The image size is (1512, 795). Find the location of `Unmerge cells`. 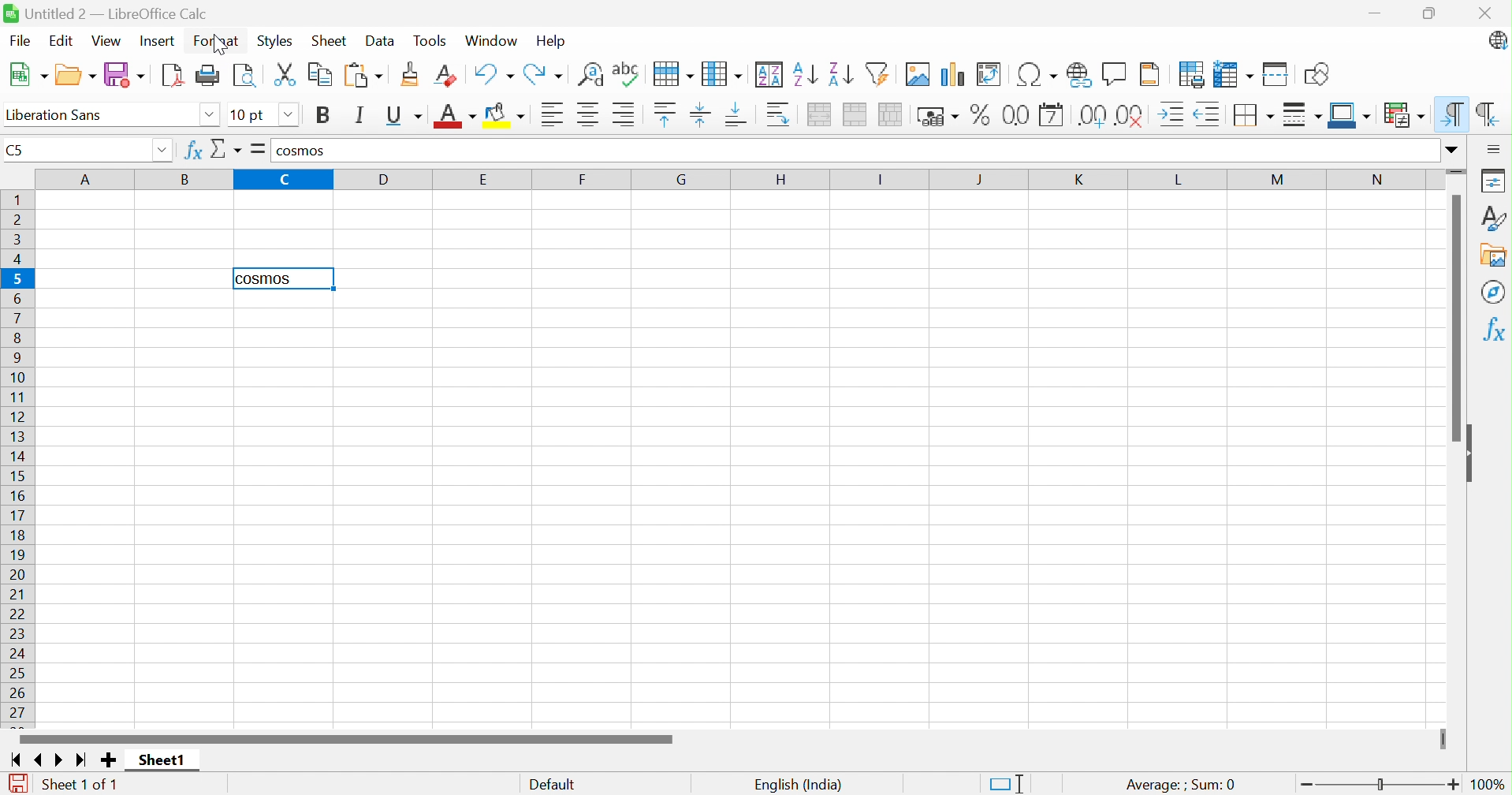

Unmerge cells is located at coordinates (892, 115).